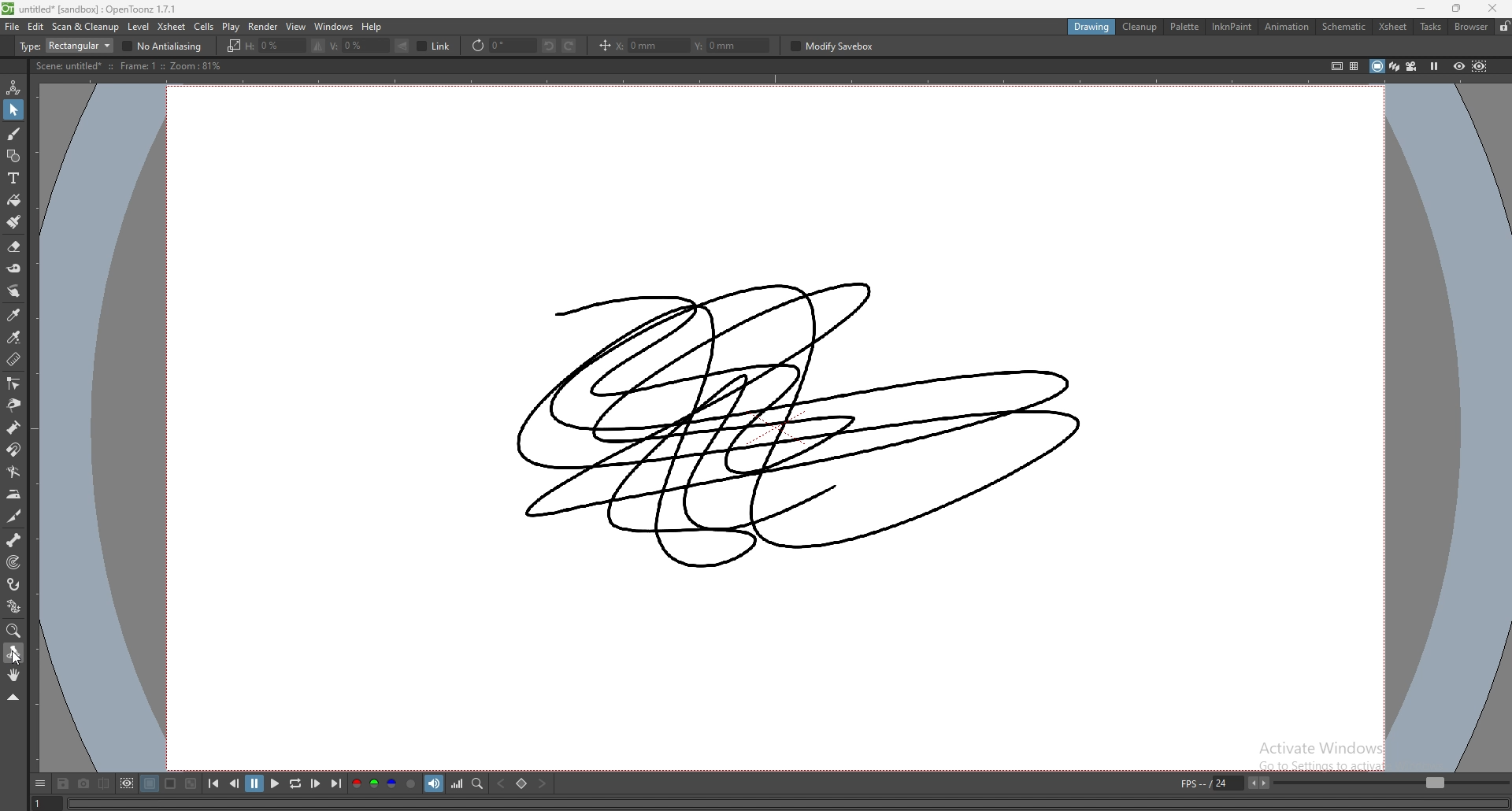 The width and height of the screenshot is (1512, 811). Describe the element at coordinates (215, 784) in the screenshot. I see `first frame` at that location.